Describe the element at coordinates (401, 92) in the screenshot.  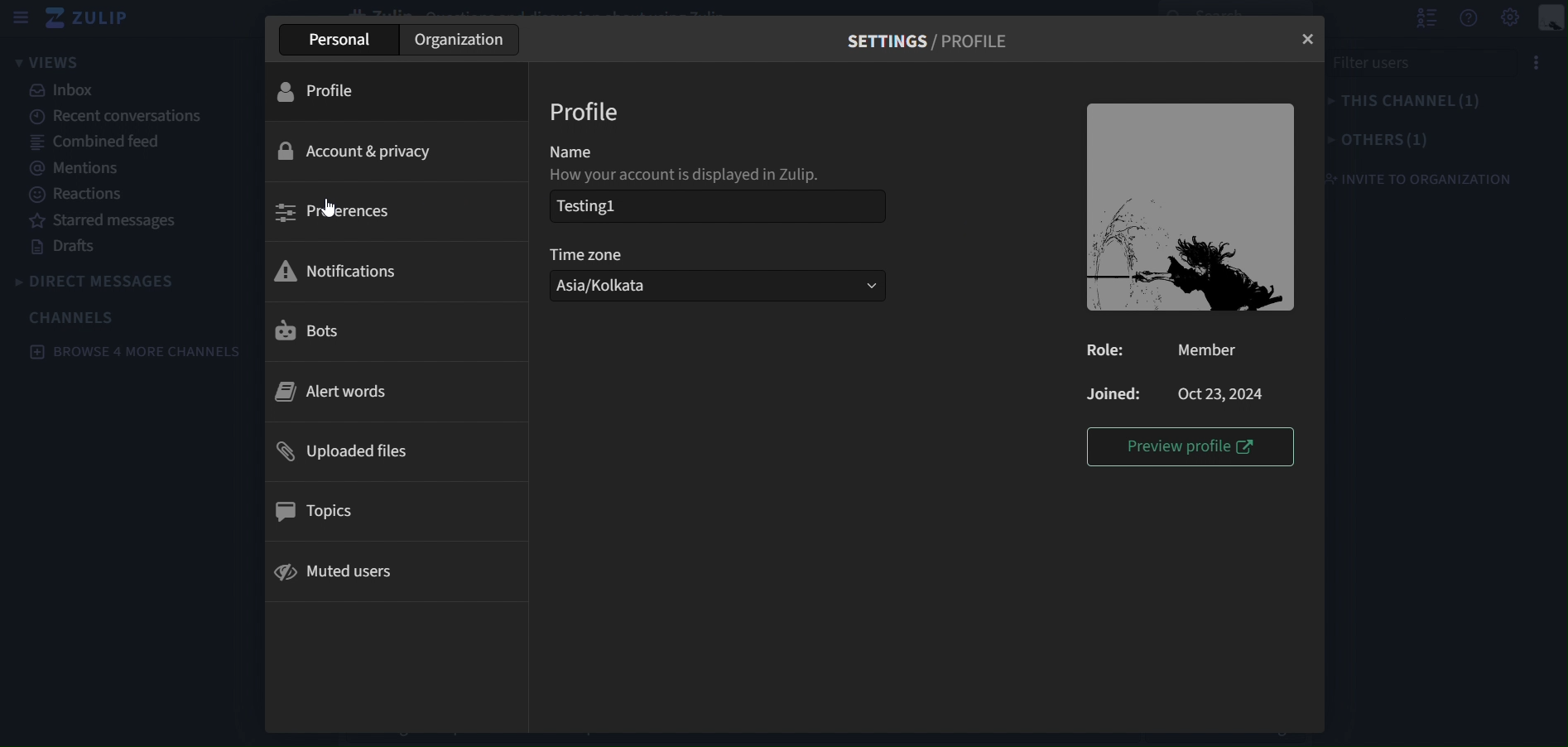
I see `profile` at that location.